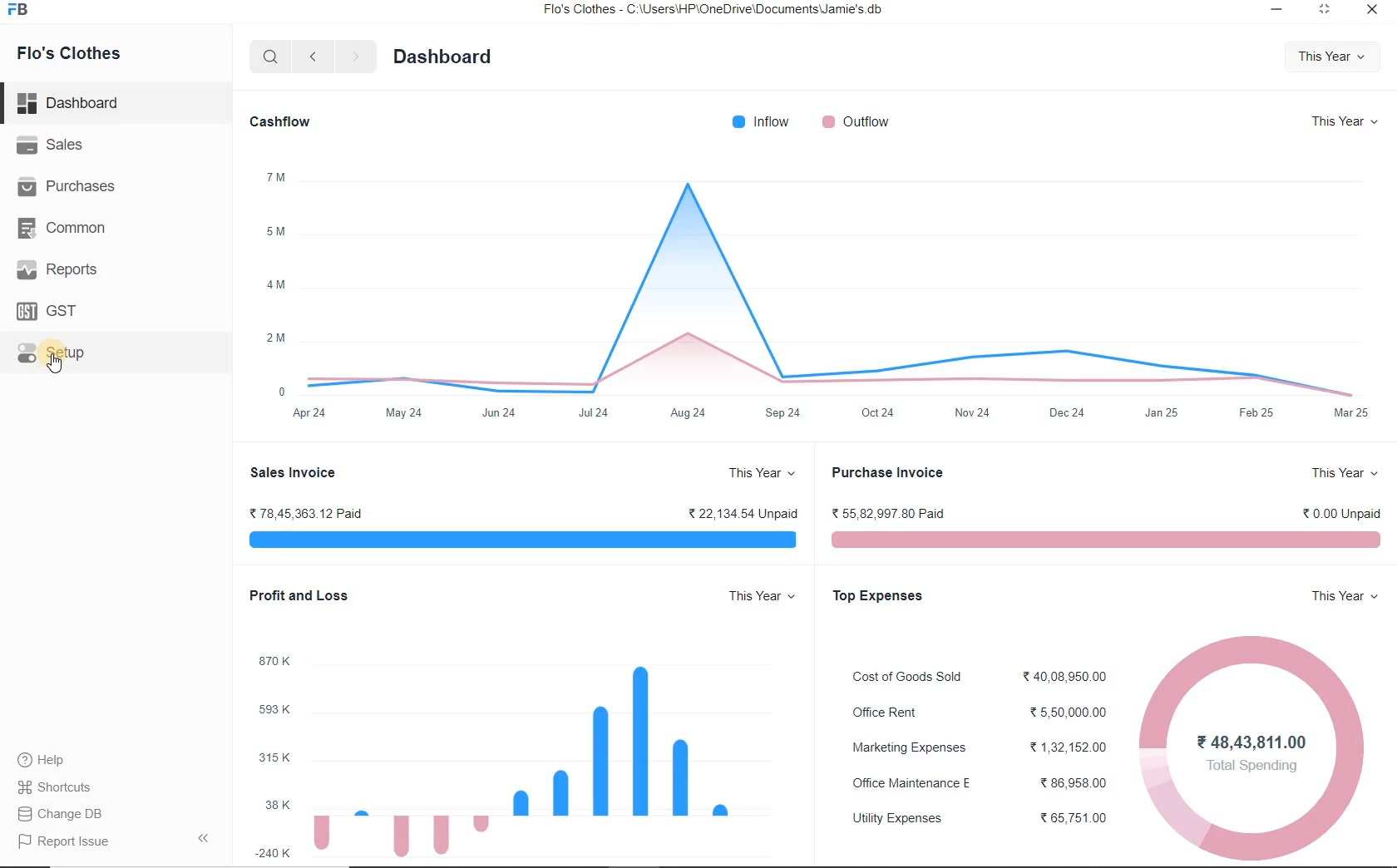 This screenshot has height=868, width=1397. What do you see at coordinates (741, 510) in the screenshot?
I see `22,134 54 Unpaid` at bounding box center [741, 510].